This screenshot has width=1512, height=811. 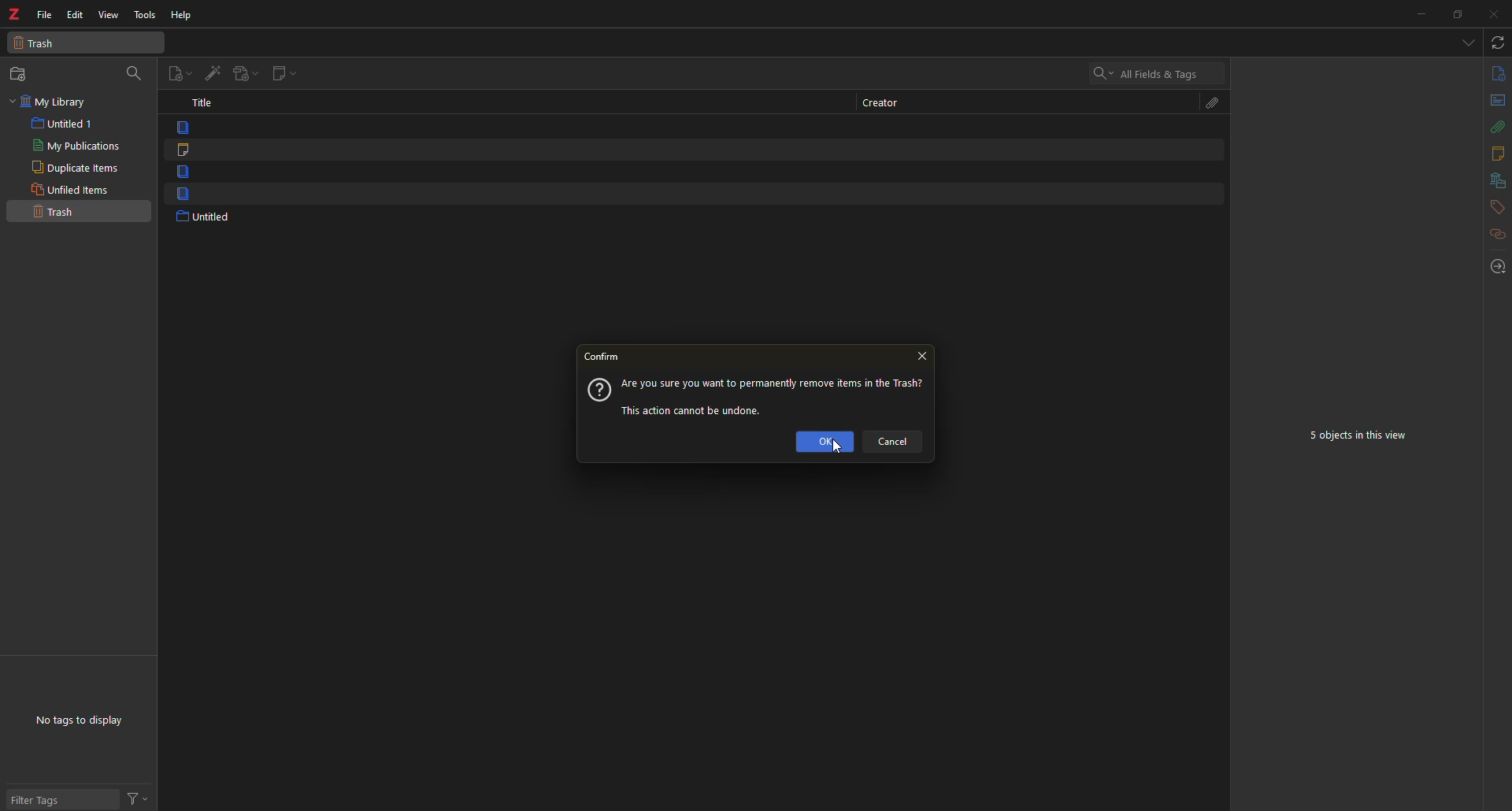 What do you see at coordinates (835, 447) in the screenshot?
I see `cursor` at bounding box center [835, 447].